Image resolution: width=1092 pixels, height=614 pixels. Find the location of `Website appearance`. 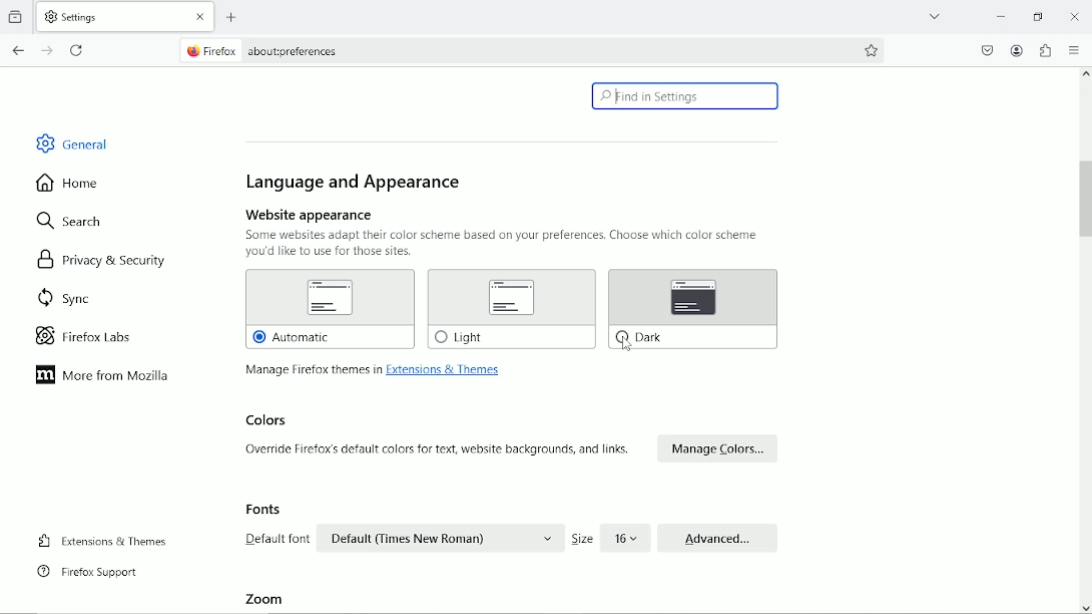

Website appearance is located at coordinates (504, 232).